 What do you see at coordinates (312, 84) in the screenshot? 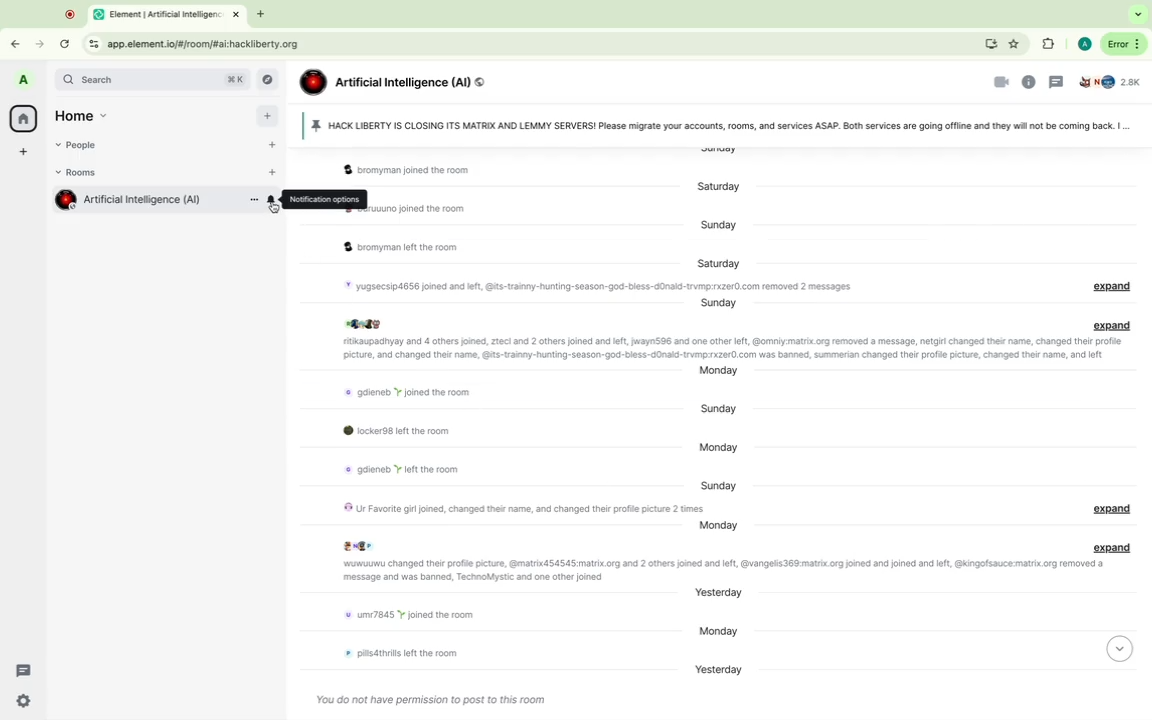
I see `icon` at bounding box center [312, 84].